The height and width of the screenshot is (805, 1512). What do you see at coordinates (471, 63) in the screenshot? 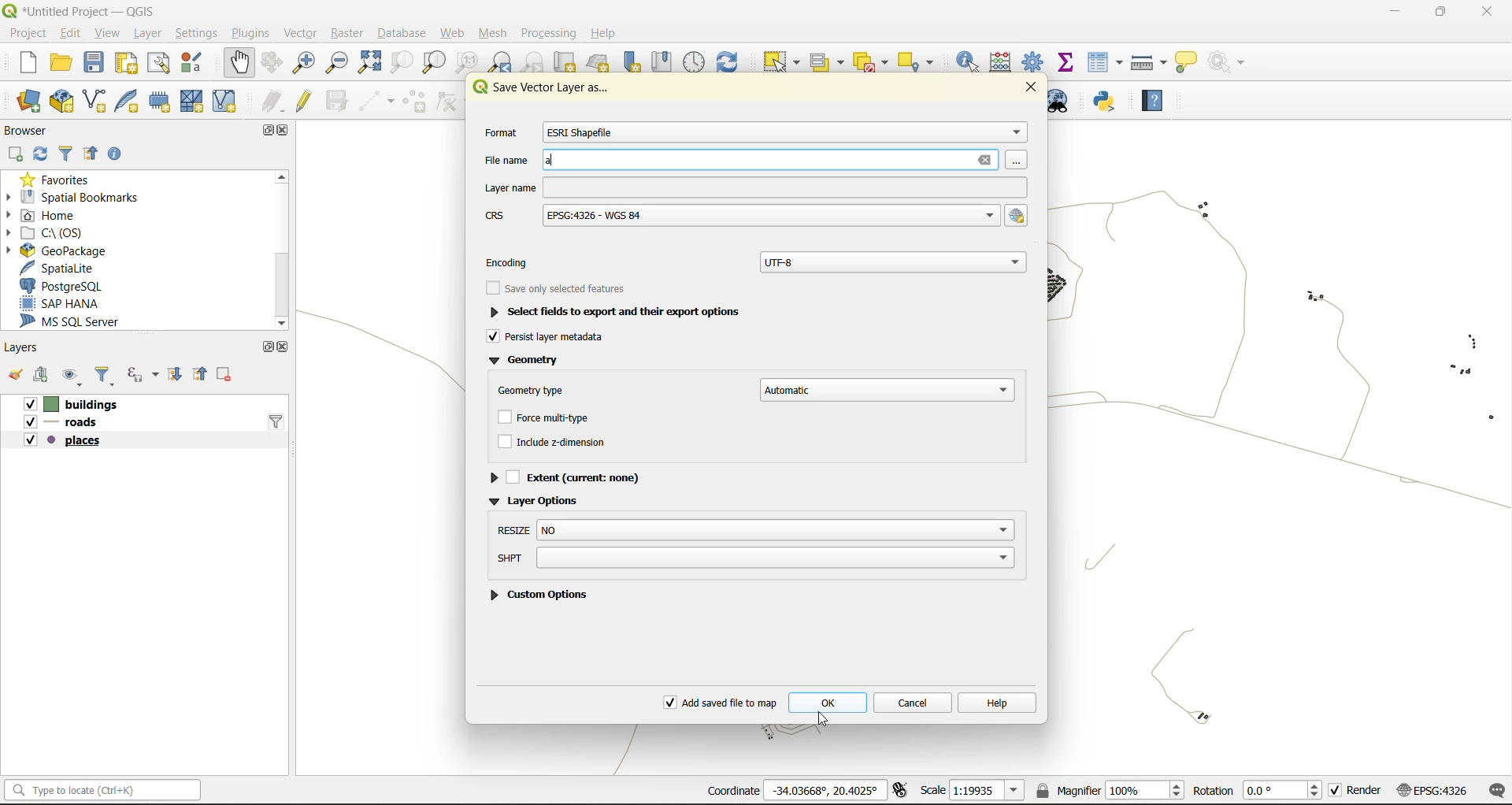
I see `zoom native` at bounding box center [471, 63].